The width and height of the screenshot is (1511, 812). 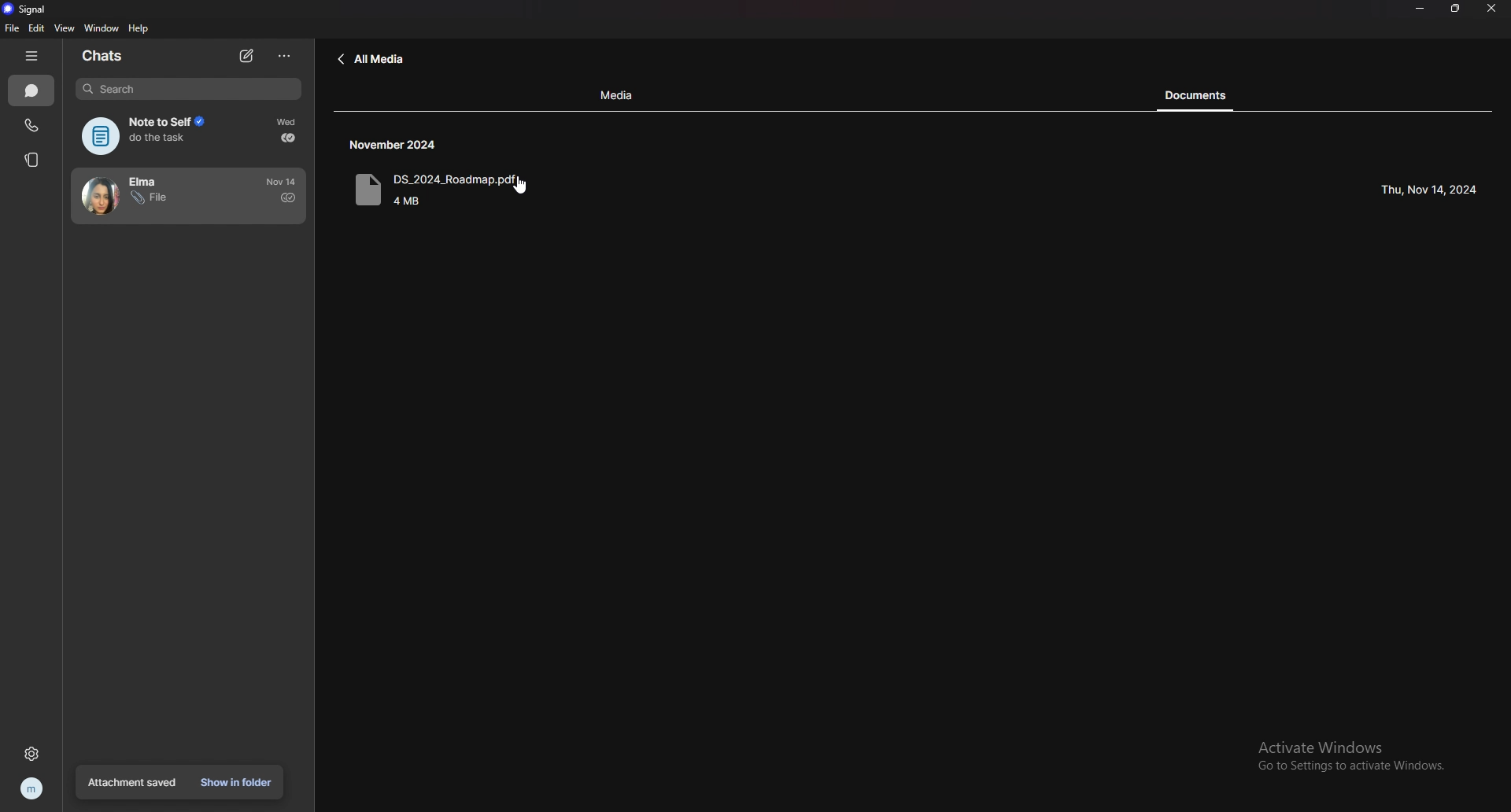 What do you see at coordinates (32, 126) in the screenshot?
I see `calls` at bounding box center [32, 126].